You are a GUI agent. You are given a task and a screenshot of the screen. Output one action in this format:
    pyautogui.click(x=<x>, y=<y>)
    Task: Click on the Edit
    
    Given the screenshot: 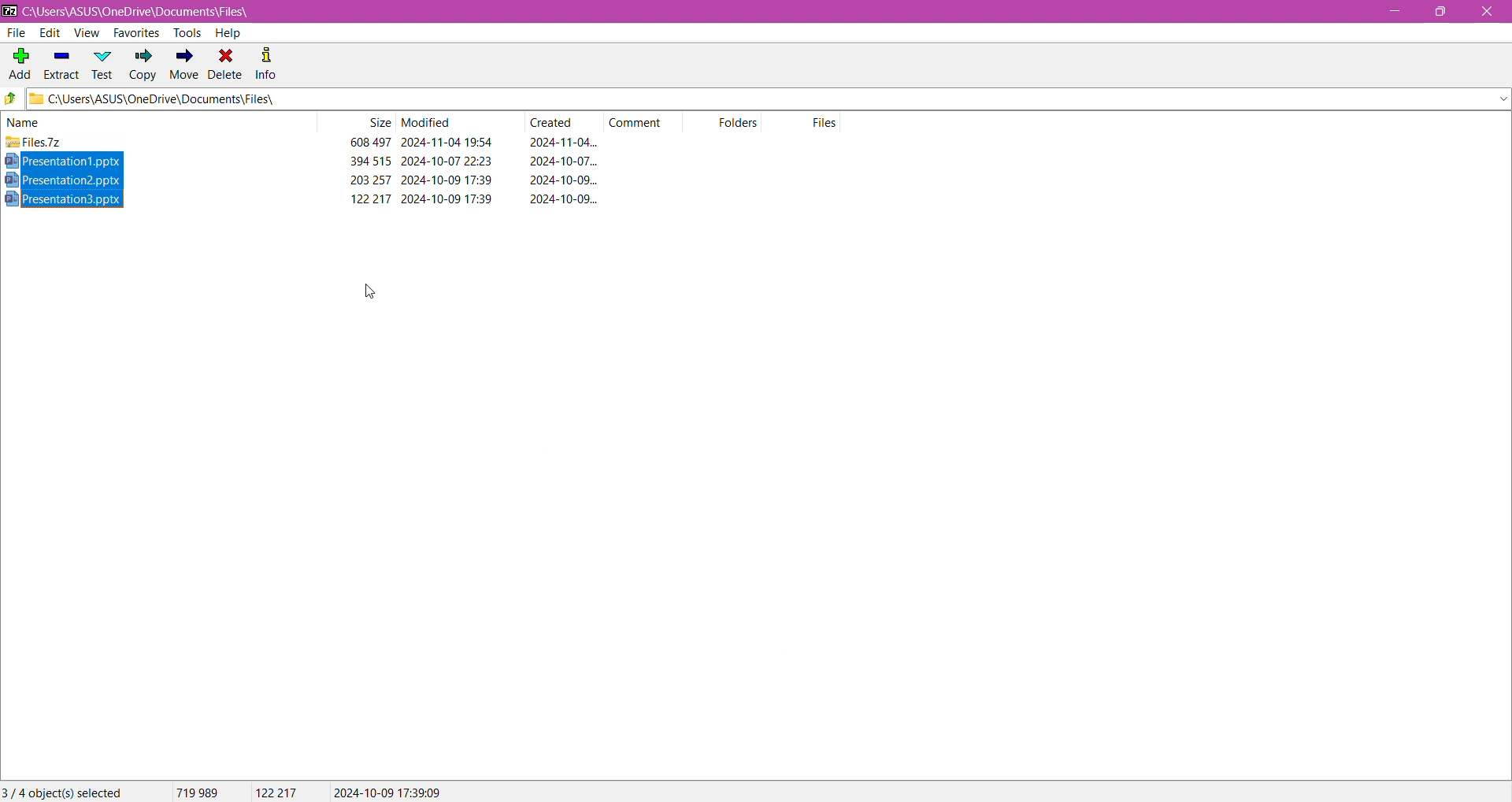 What is the action you would take?
    pyautogui.click(x=49, y=33)
    